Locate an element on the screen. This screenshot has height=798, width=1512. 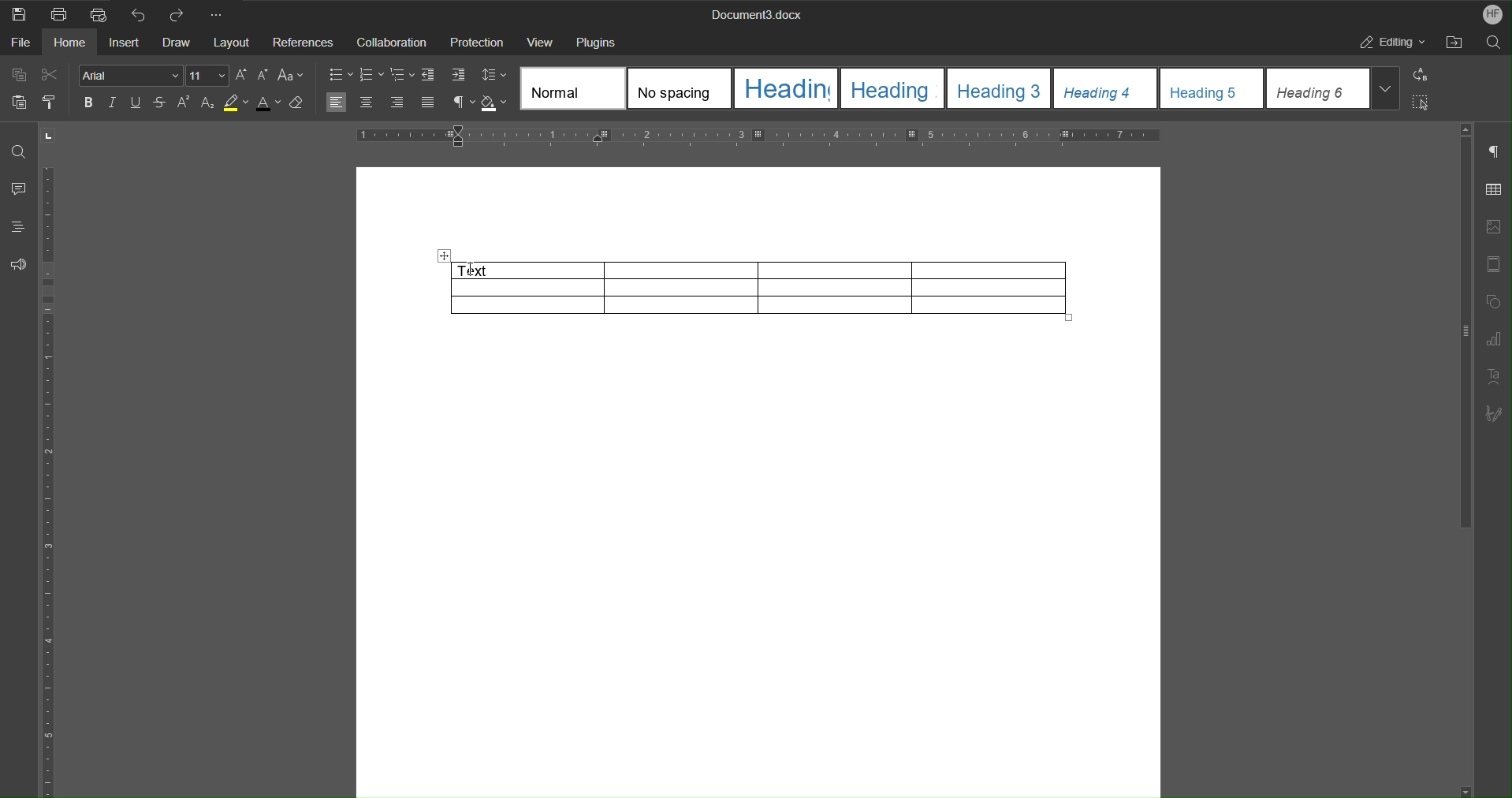
Superscript is located at coordinates (181, 102).